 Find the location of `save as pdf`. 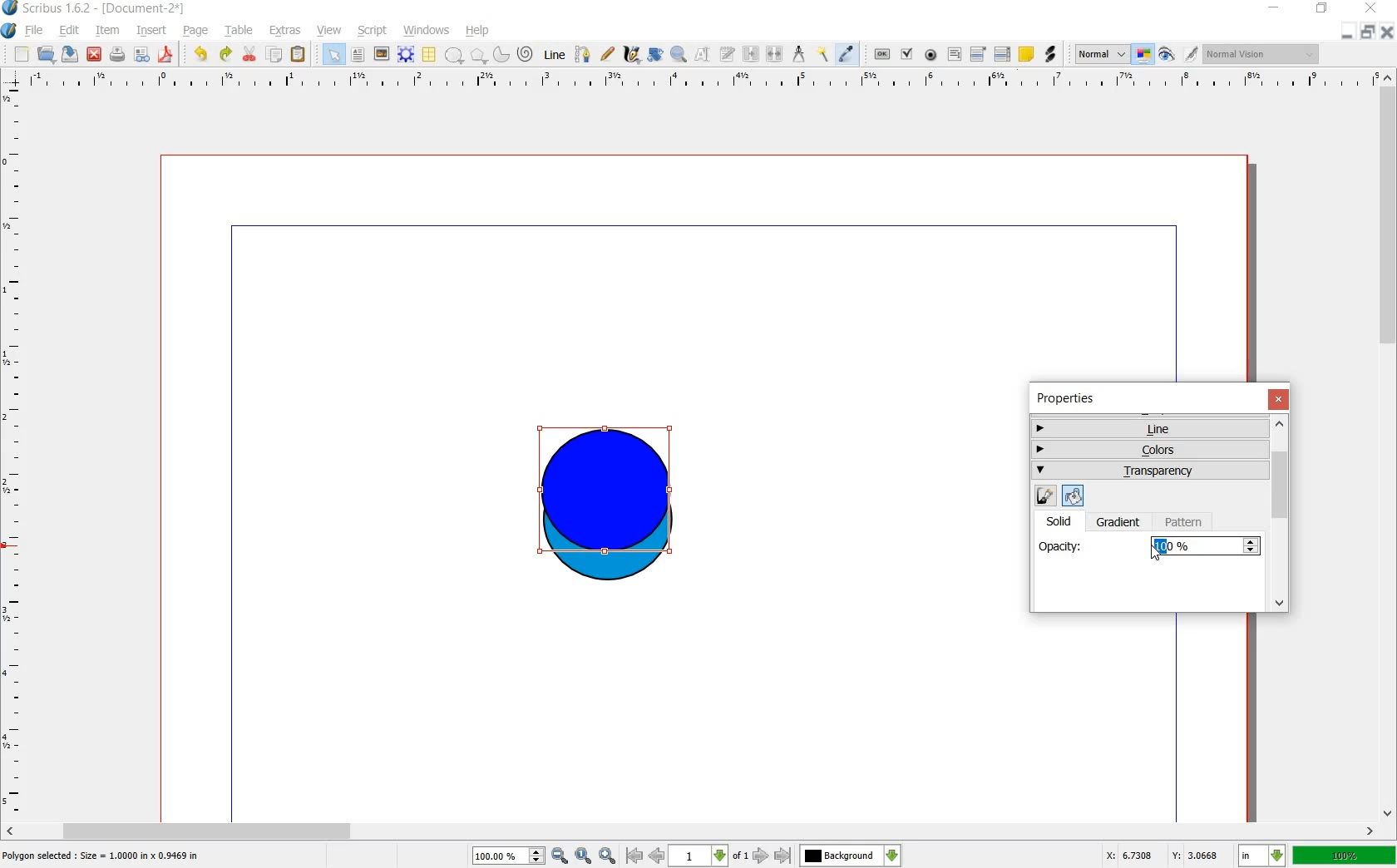

save as pdf is located at coordinates (165, 55).